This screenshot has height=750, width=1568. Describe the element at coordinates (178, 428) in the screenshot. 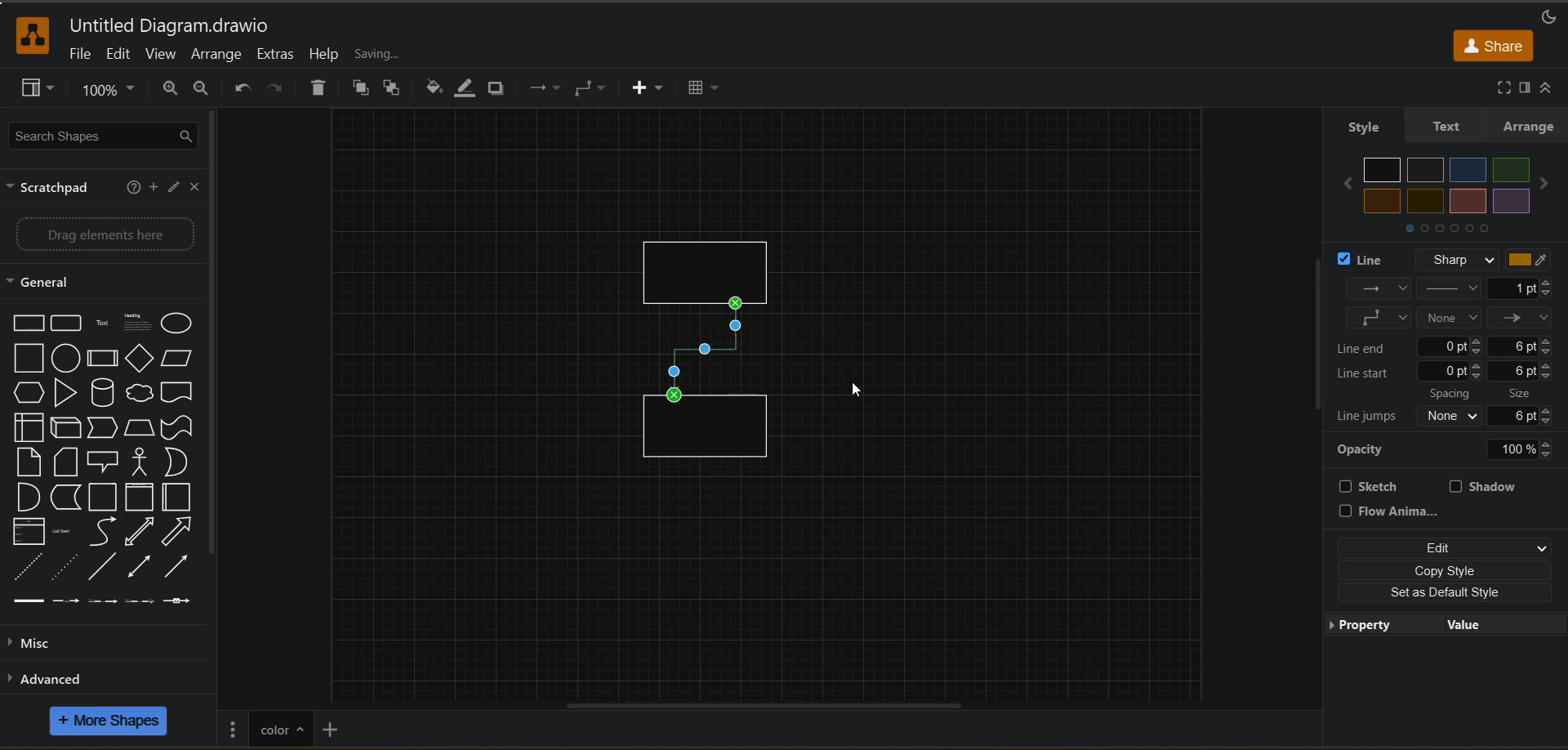

I see `Tape` at that location.